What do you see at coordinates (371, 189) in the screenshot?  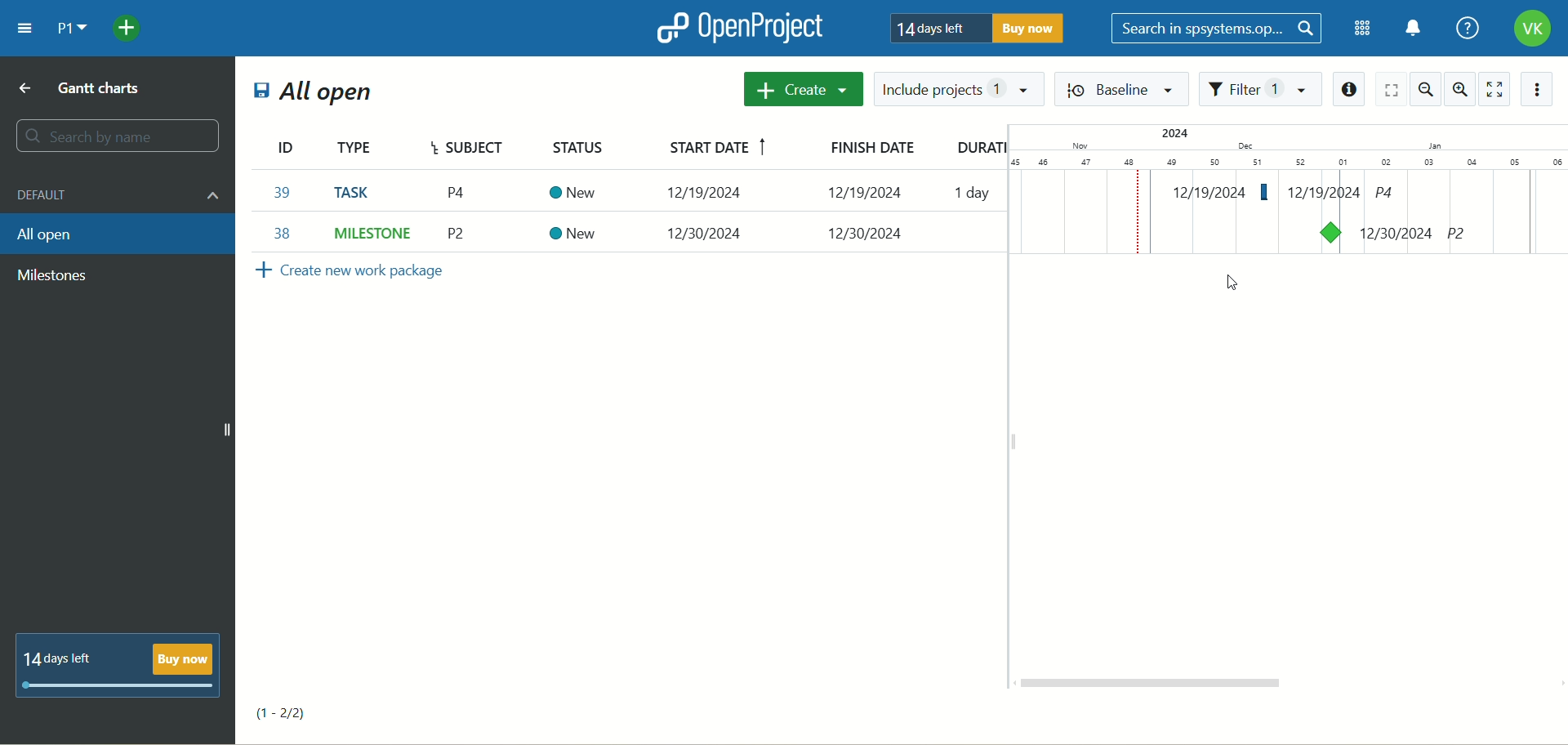 I see `MILESTONE` at bounding box center [371, 189].